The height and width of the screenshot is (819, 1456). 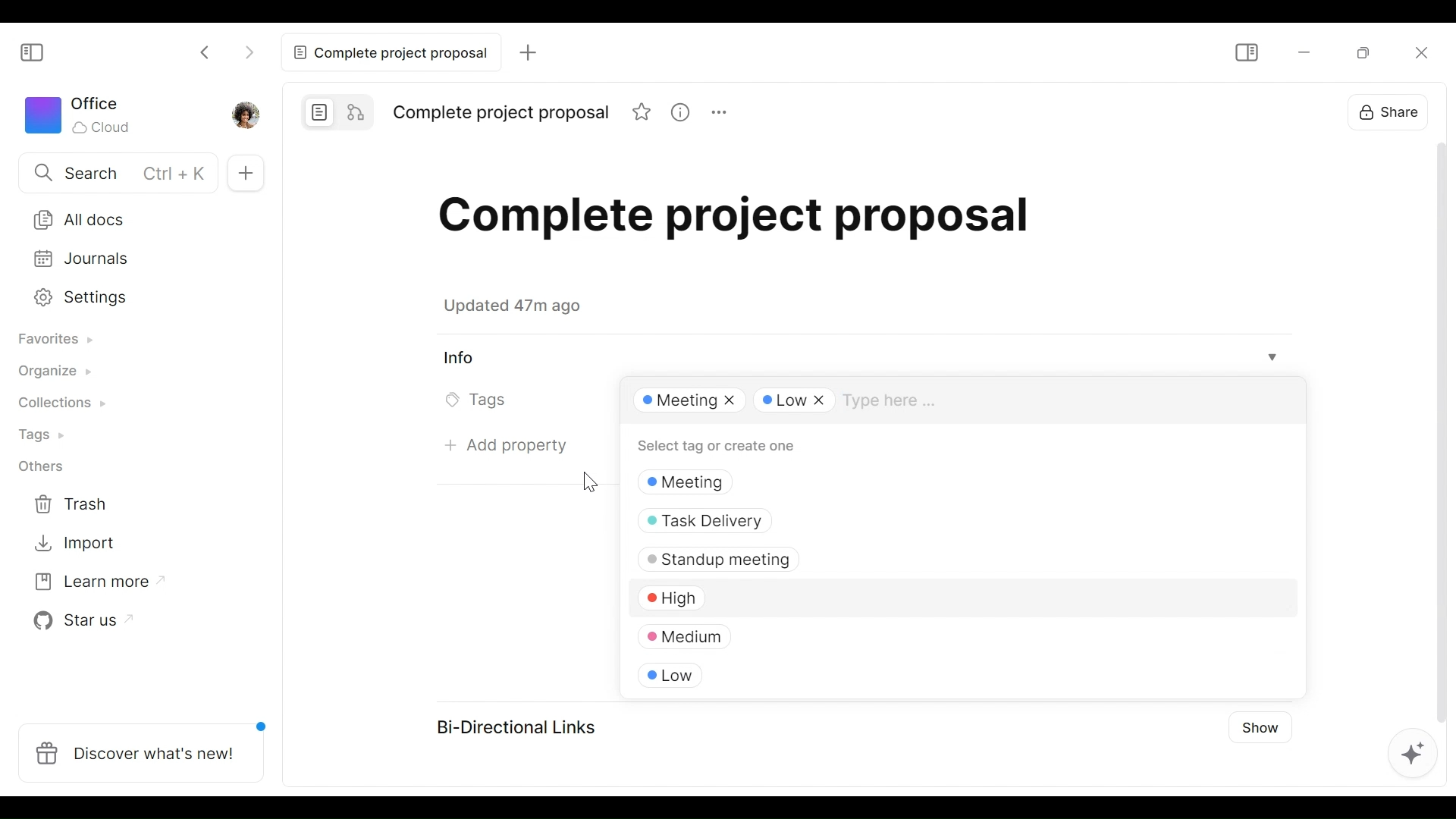 What do you see at coordinates (1434, 428) in the screenshot?
I see `Scrollbar` at bounding box center [1434, 428].